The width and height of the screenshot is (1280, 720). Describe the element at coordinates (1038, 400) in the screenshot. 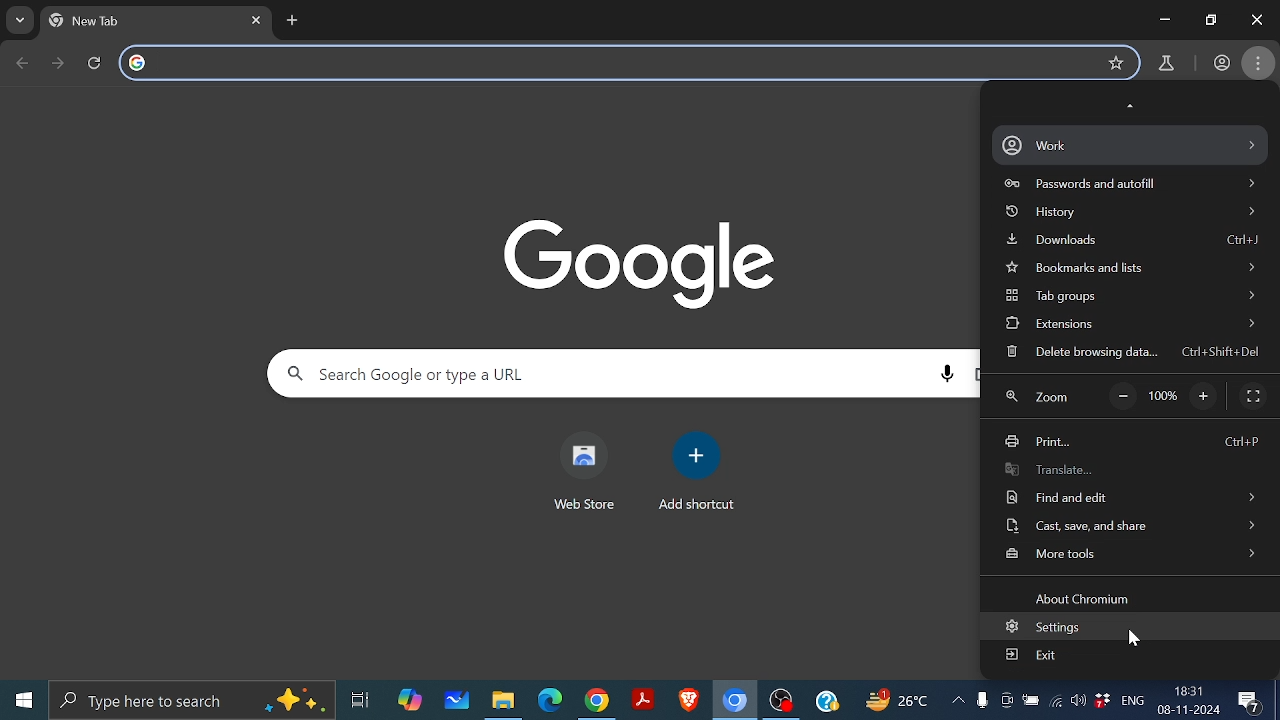

I see `Zoom` at that location.